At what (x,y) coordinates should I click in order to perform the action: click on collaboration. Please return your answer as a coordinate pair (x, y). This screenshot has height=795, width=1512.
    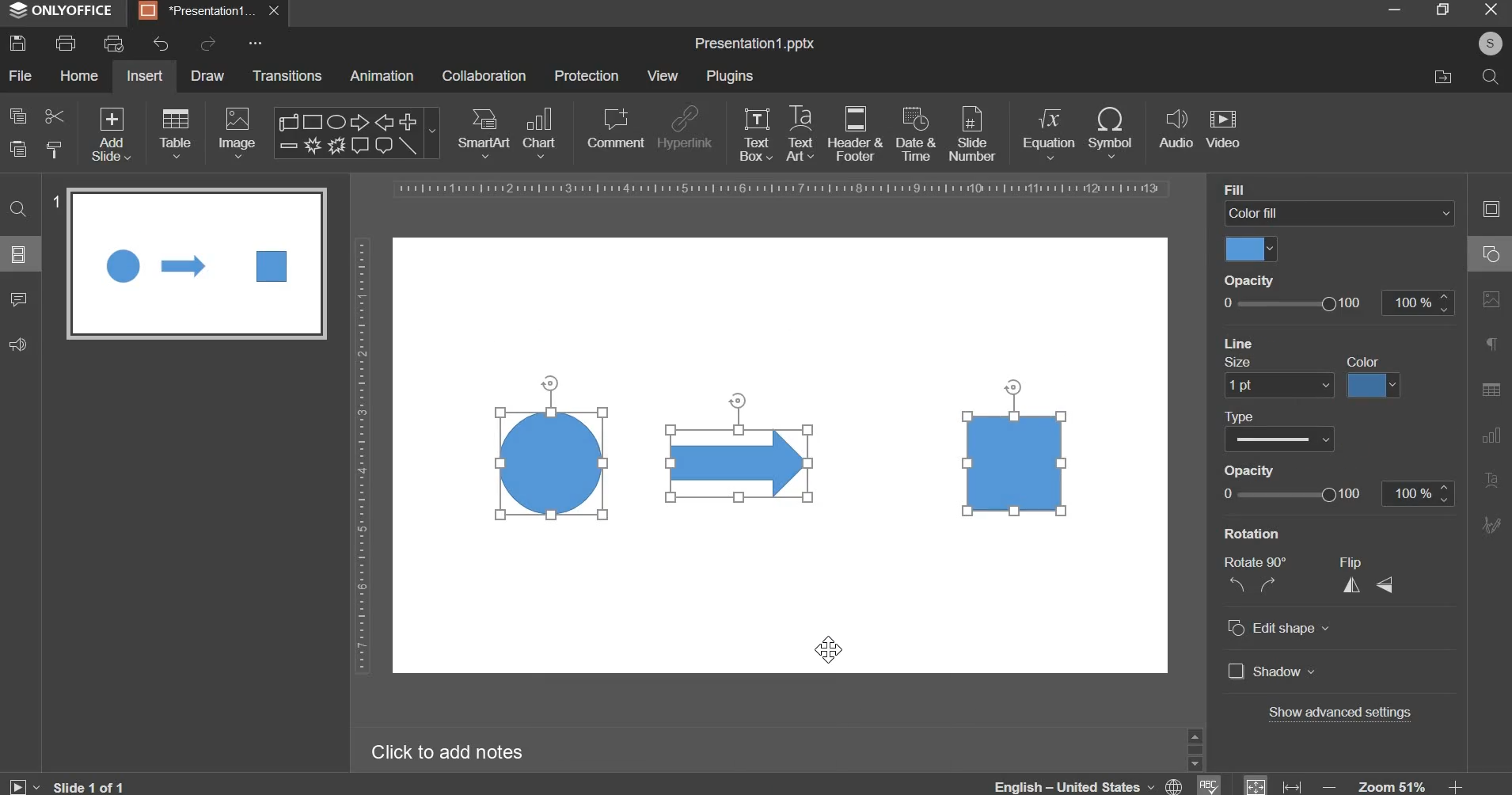
    Looking at the image, I should click on (484, 76).